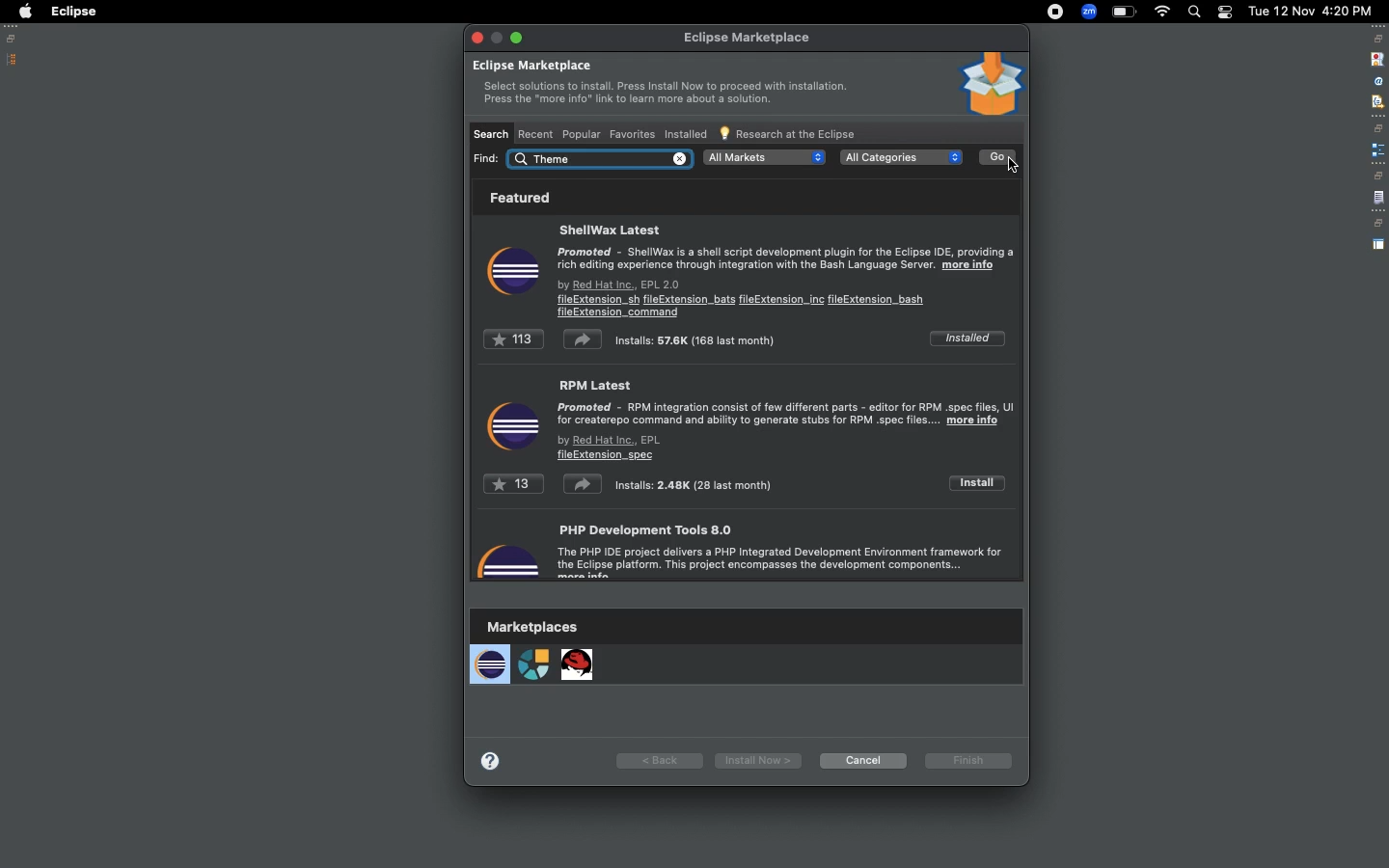 The width and height of the screenshot is (1389, 868). What do you see at coordinates (966, 338) in the screenshot?
I see `Installed` at bounding box center [966, 338].